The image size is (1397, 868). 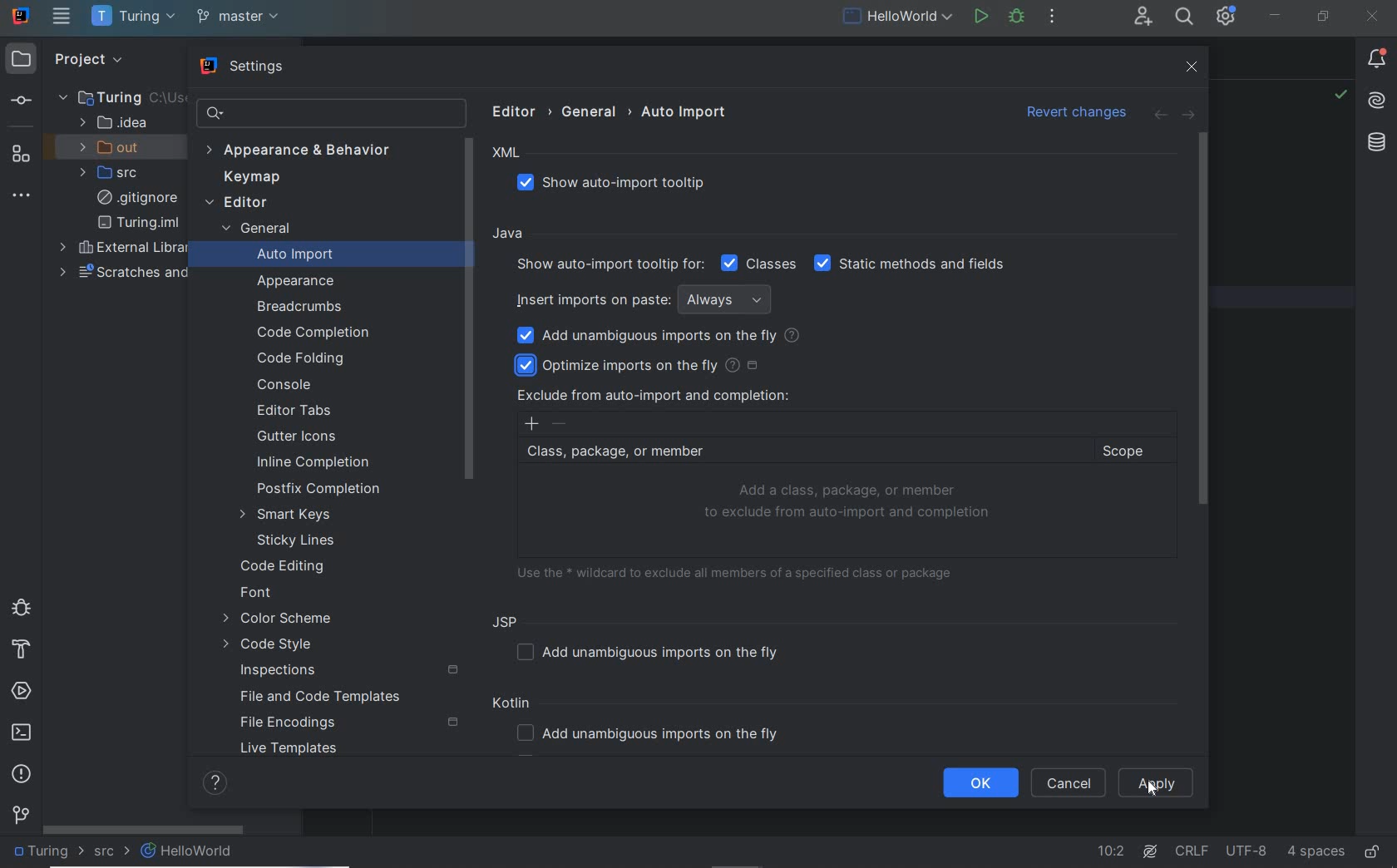 What do you see at coordinates (137, 198) in the screenshot?
I see `gitignore` at bounding box center [137, 198].